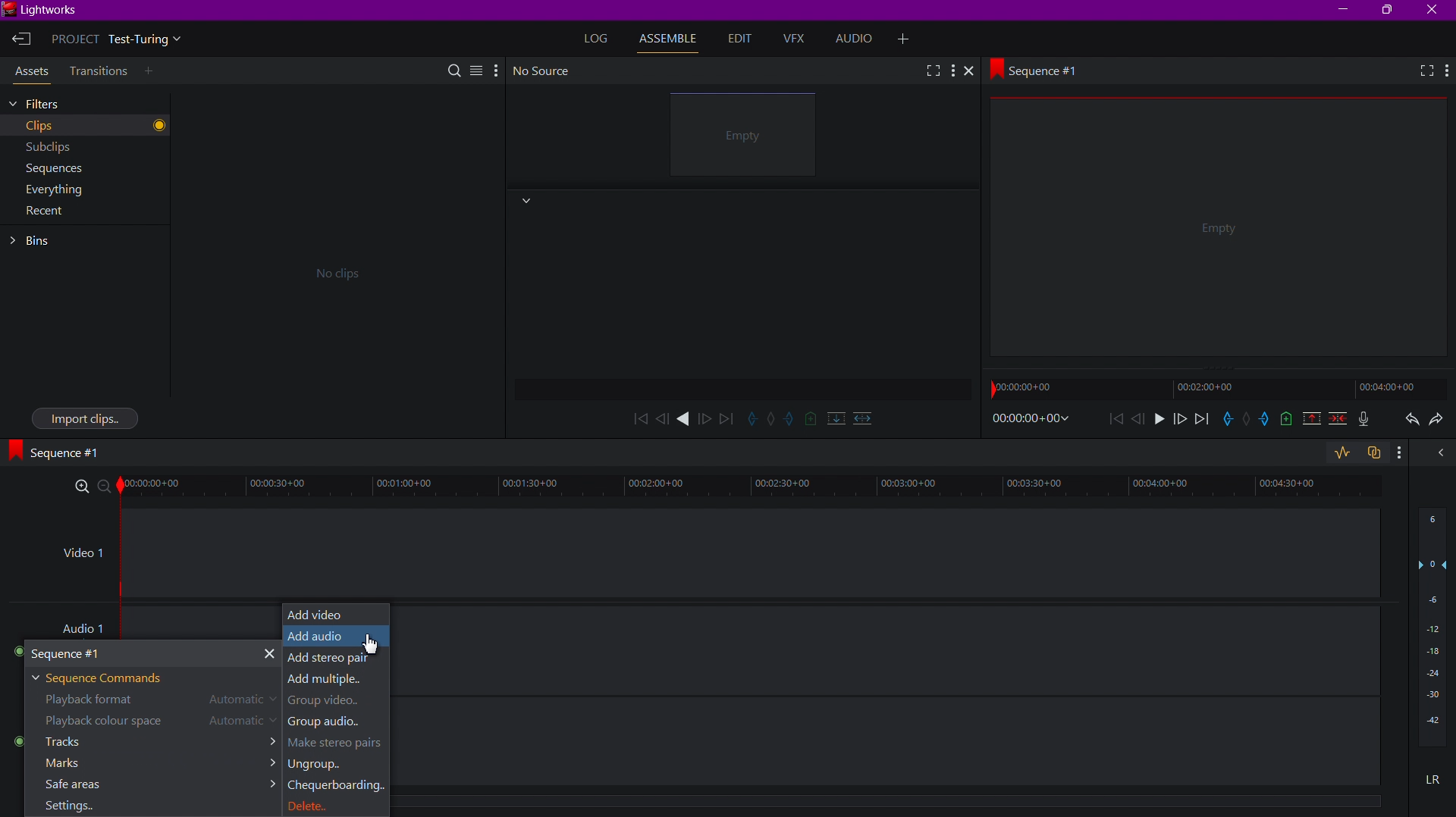  I want to click on play next, so click(726, 418).